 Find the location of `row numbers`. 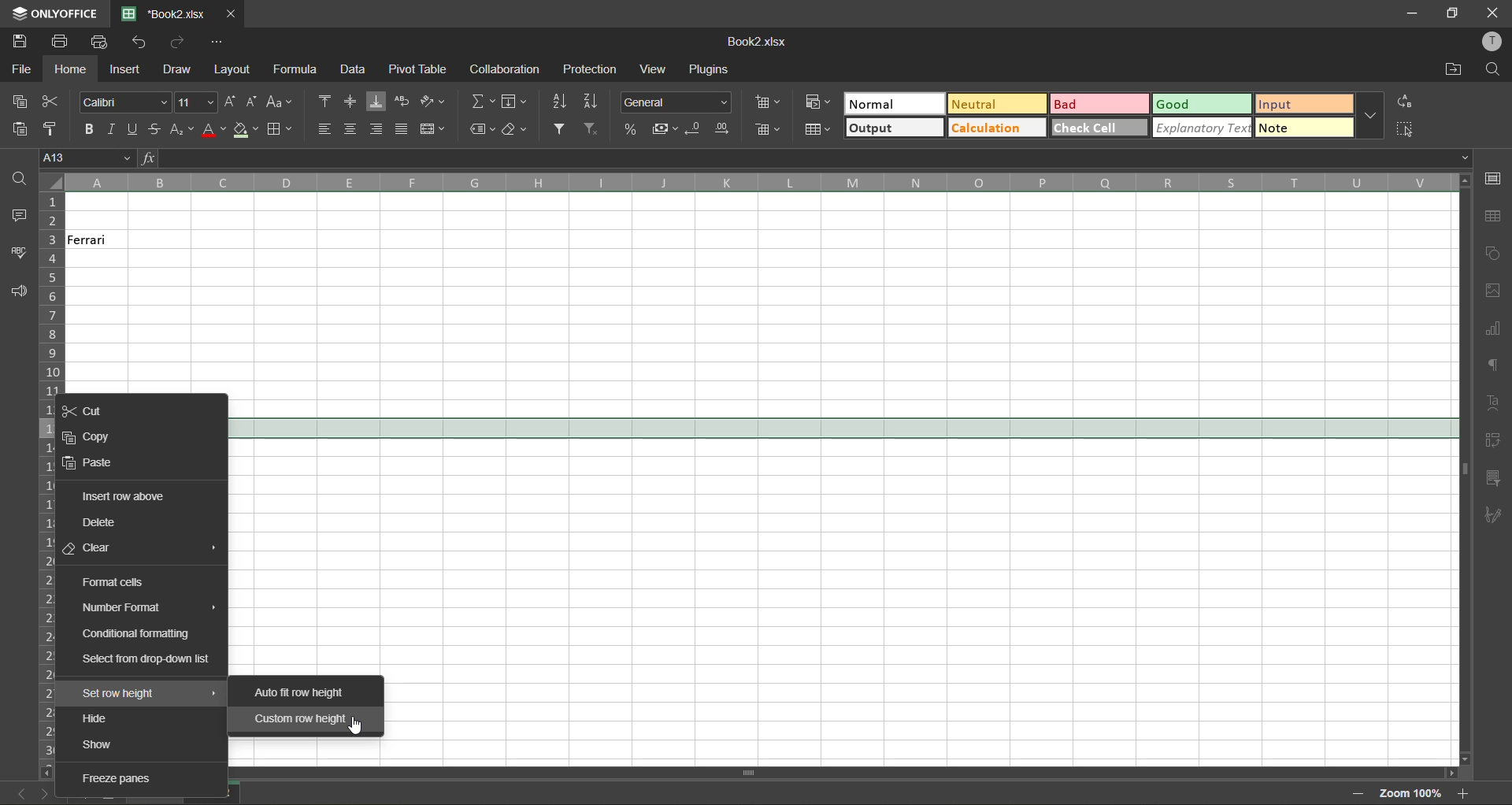

row numbers is located at coordinates (51, 294).